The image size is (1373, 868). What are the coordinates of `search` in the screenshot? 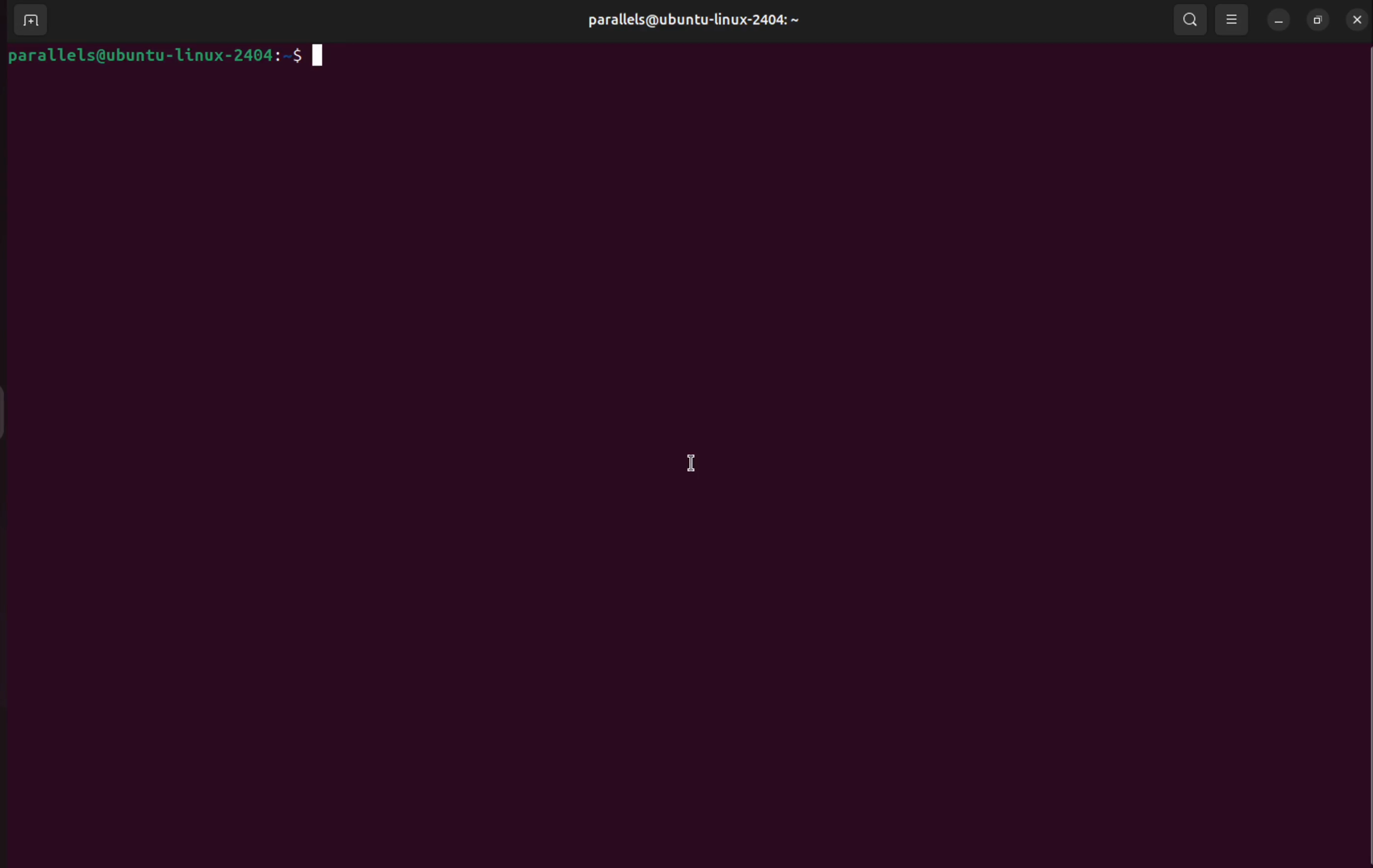 It's located at (1187, 19).